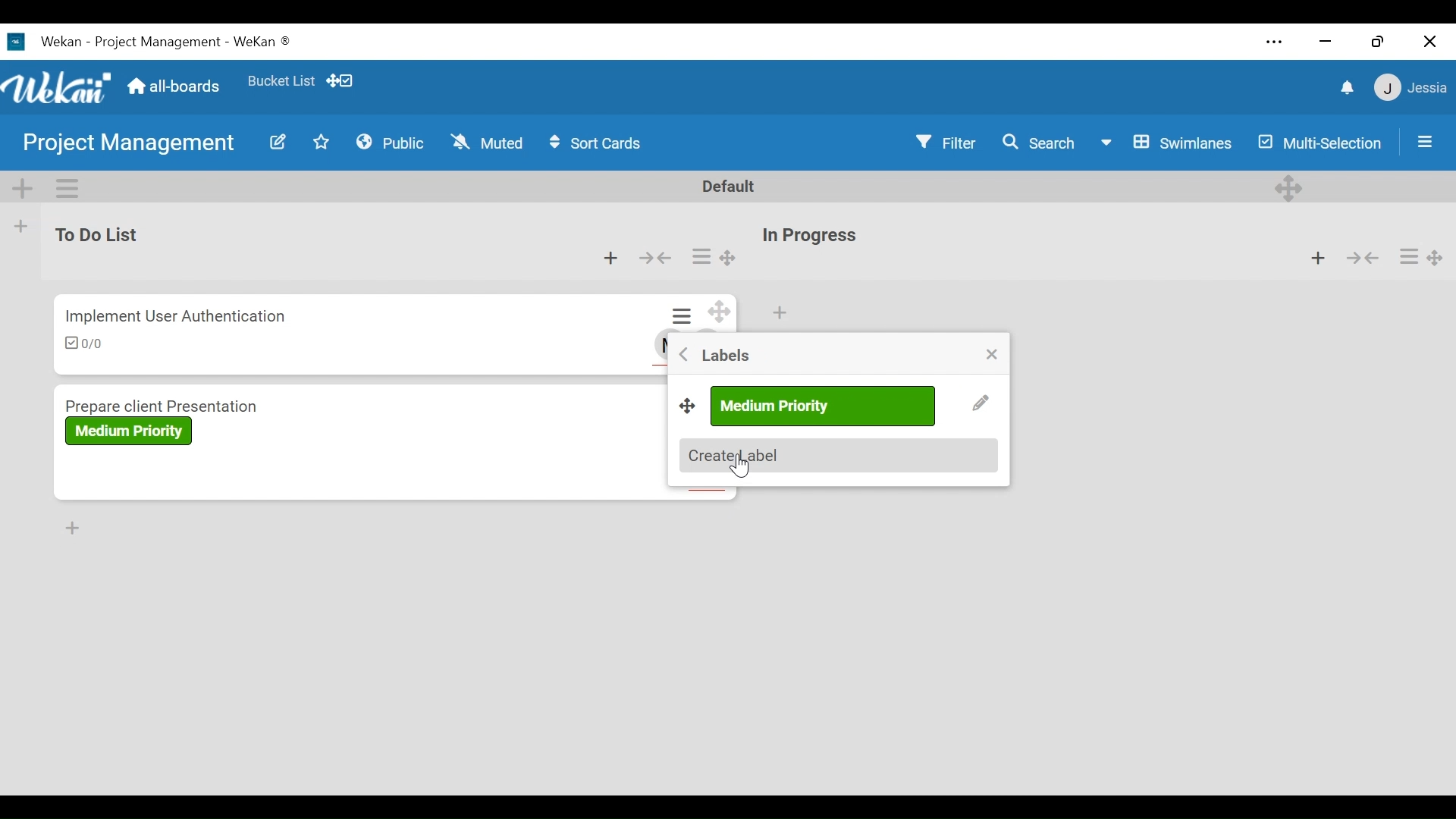 The image size is (1456, 819). What do you see at coordinates (726, 356) in the screenshot?
I see `labels` at bounding box center [726, 356].